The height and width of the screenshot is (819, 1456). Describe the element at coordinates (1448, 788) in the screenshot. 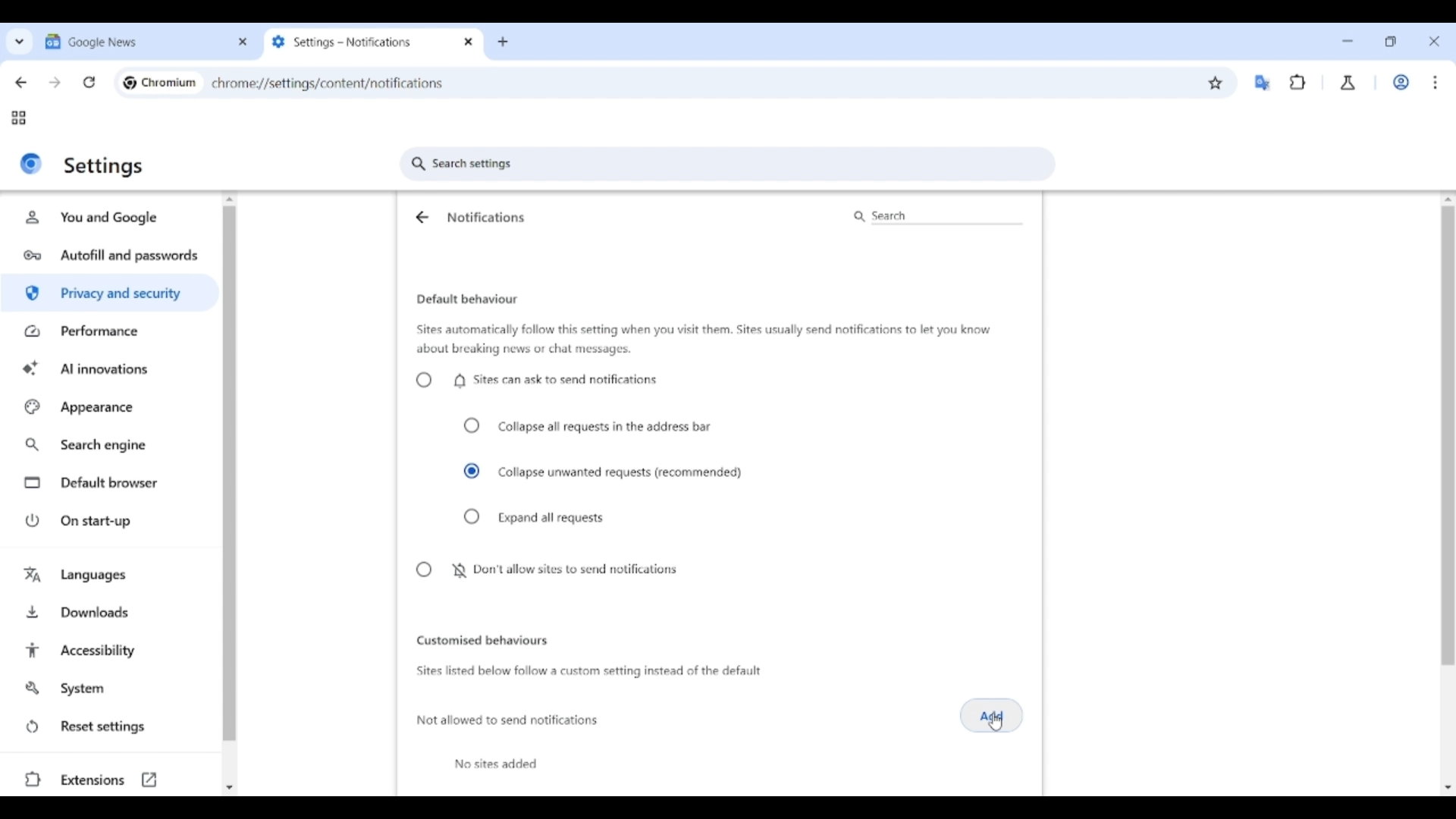

I see `Quick slide to bottom` at that location.